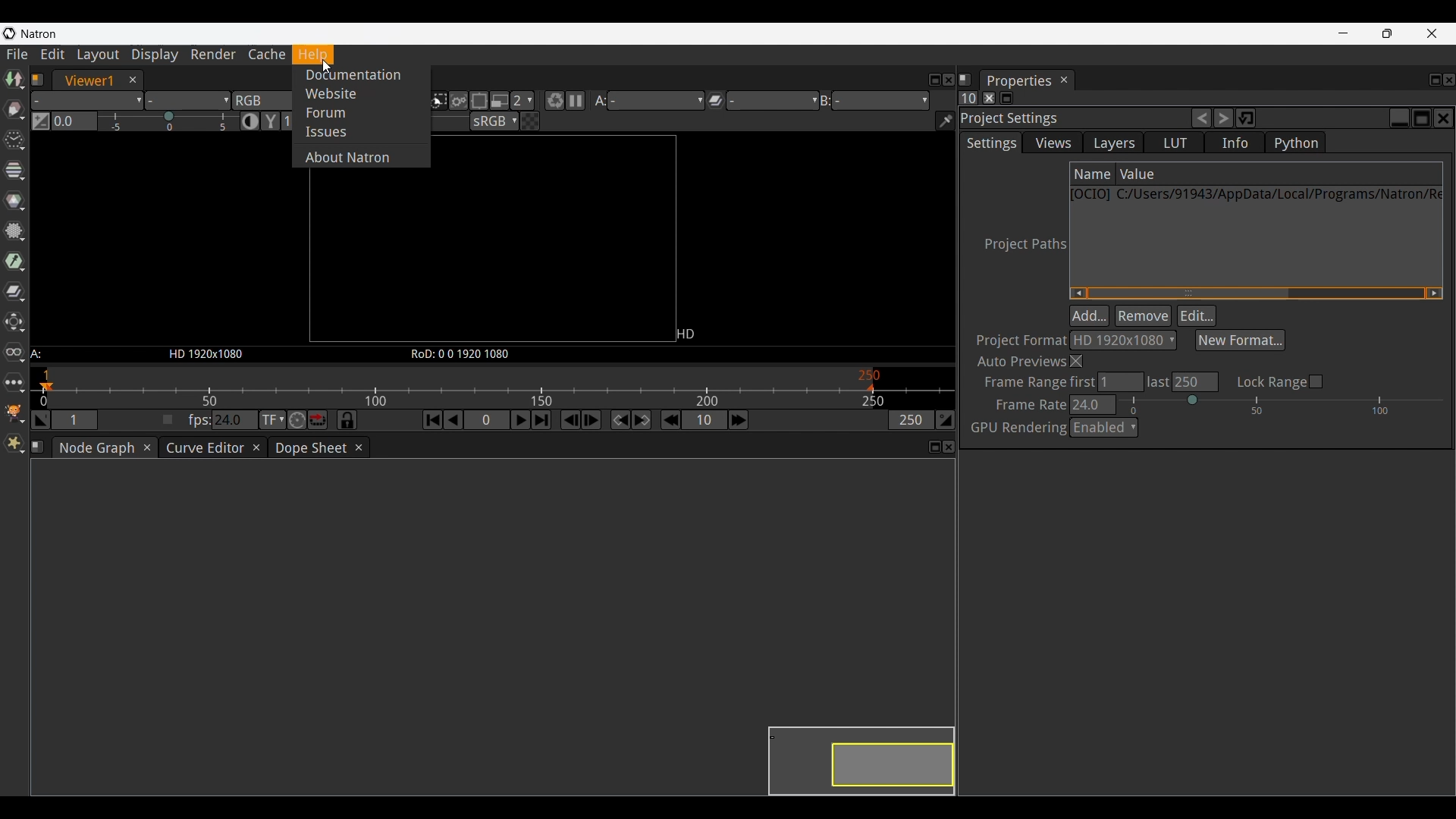 This screenshot has height=819, width=1456. What do you see at coordinates (965, 80) in the screenshot?
I see `Information about pane 2` at bounding box center [965, 80].